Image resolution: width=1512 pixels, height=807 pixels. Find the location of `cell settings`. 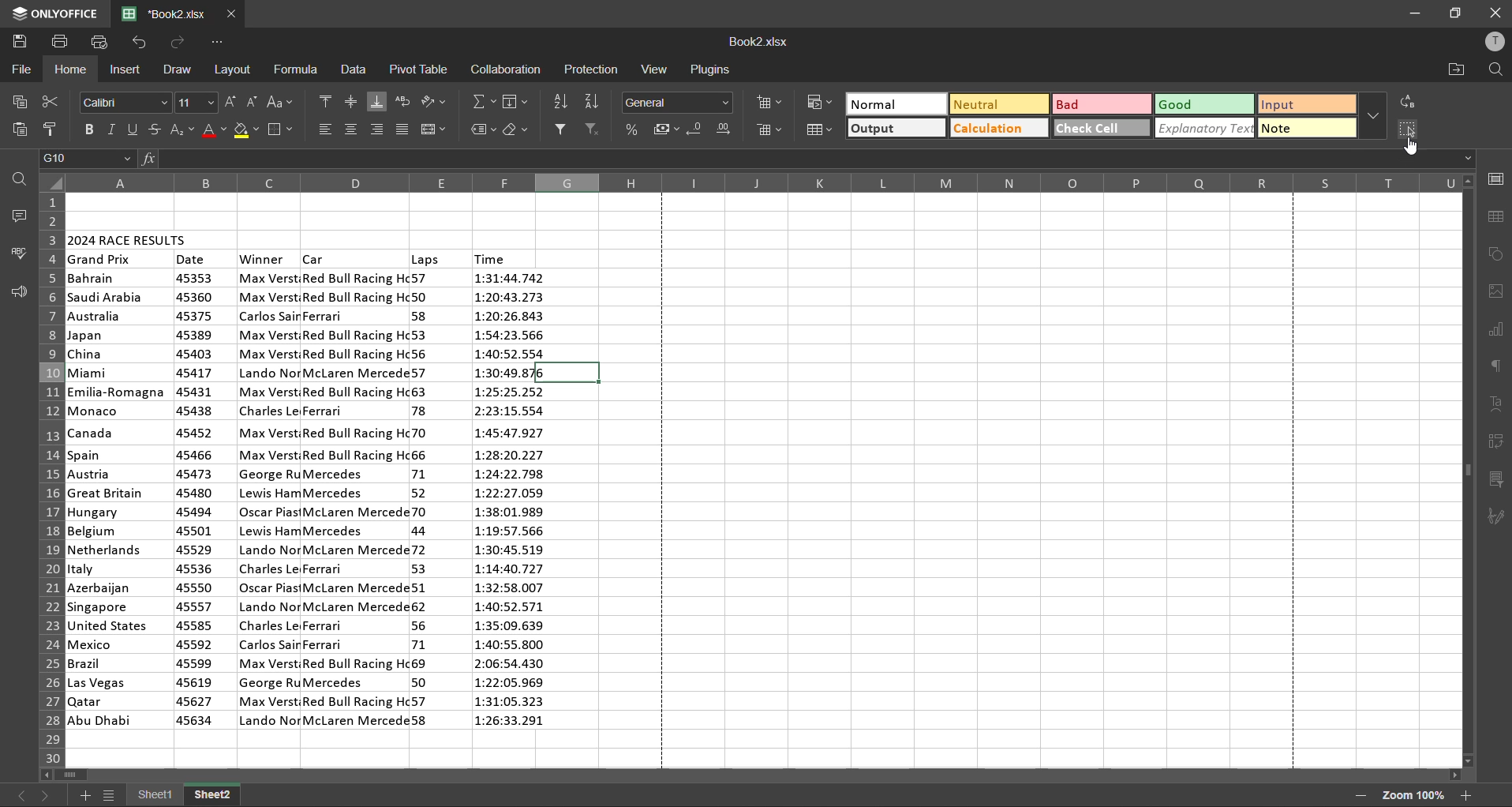

cell settings is located at coordinates (1497, 179).